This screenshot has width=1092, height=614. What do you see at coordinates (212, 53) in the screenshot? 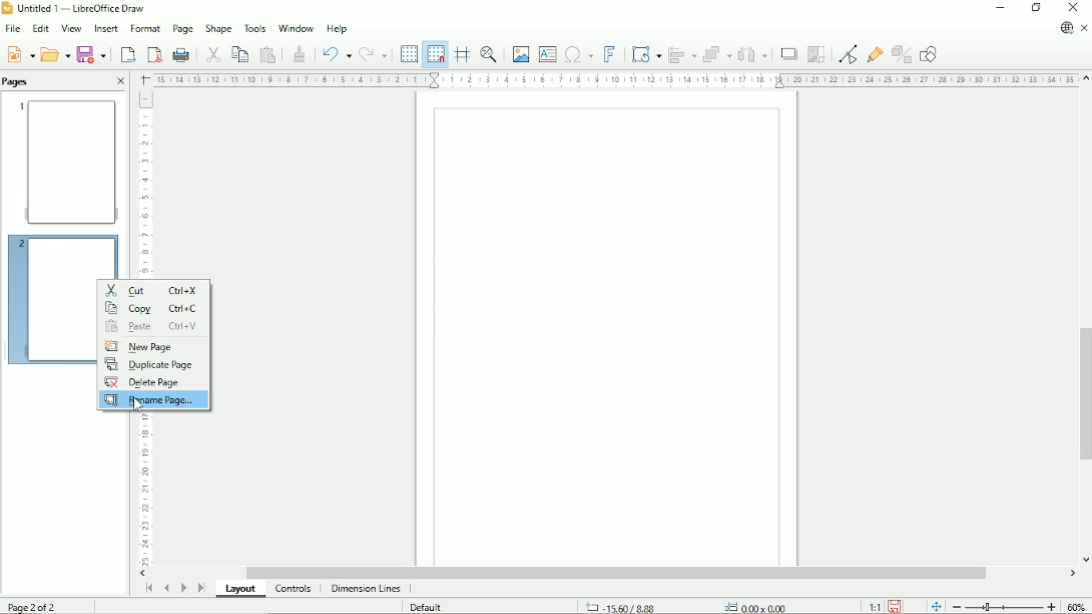
I see `Cut` at bounding box center [212, 53].